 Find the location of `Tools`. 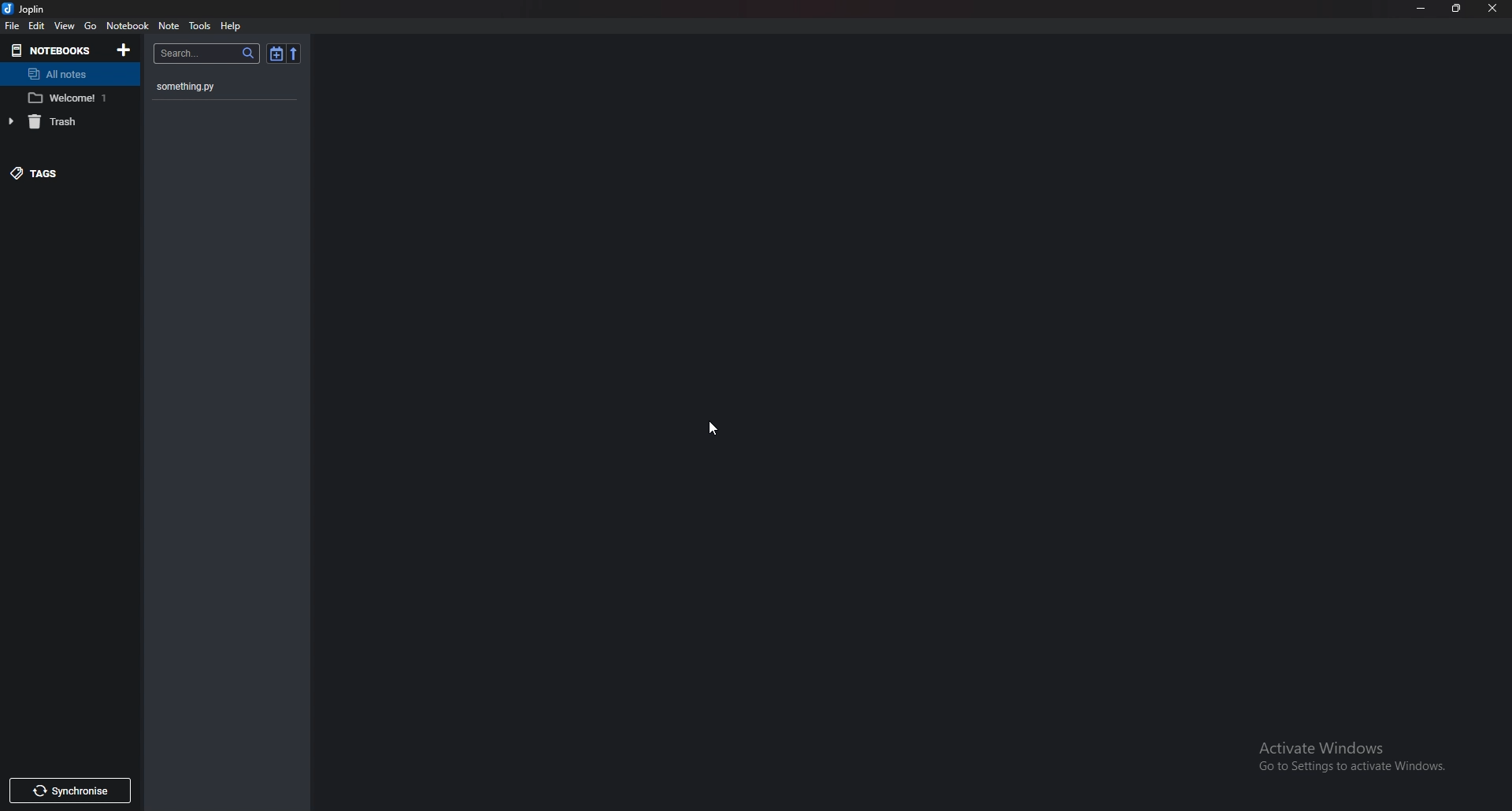

Tools is located at coordinates (199, 27).